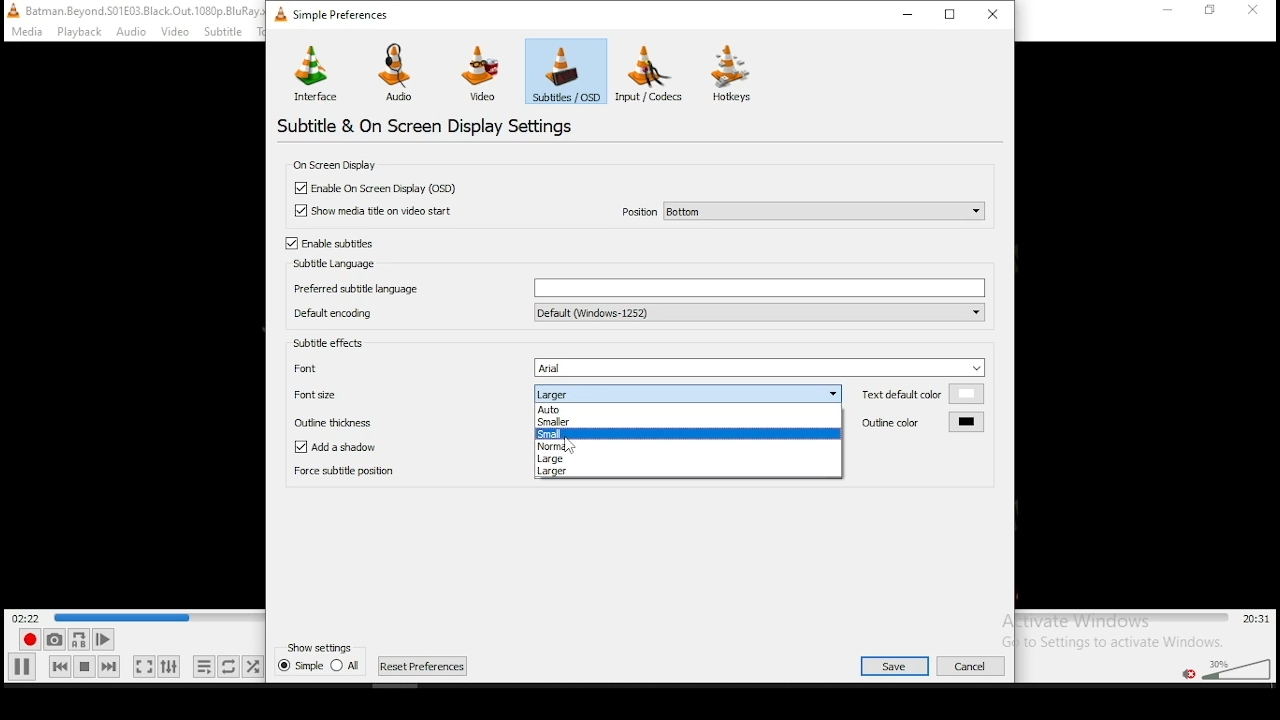 The width and height of the screenshot is (1280, 720). I want to click on checkbox: enable subtitles, so click(329, 243).